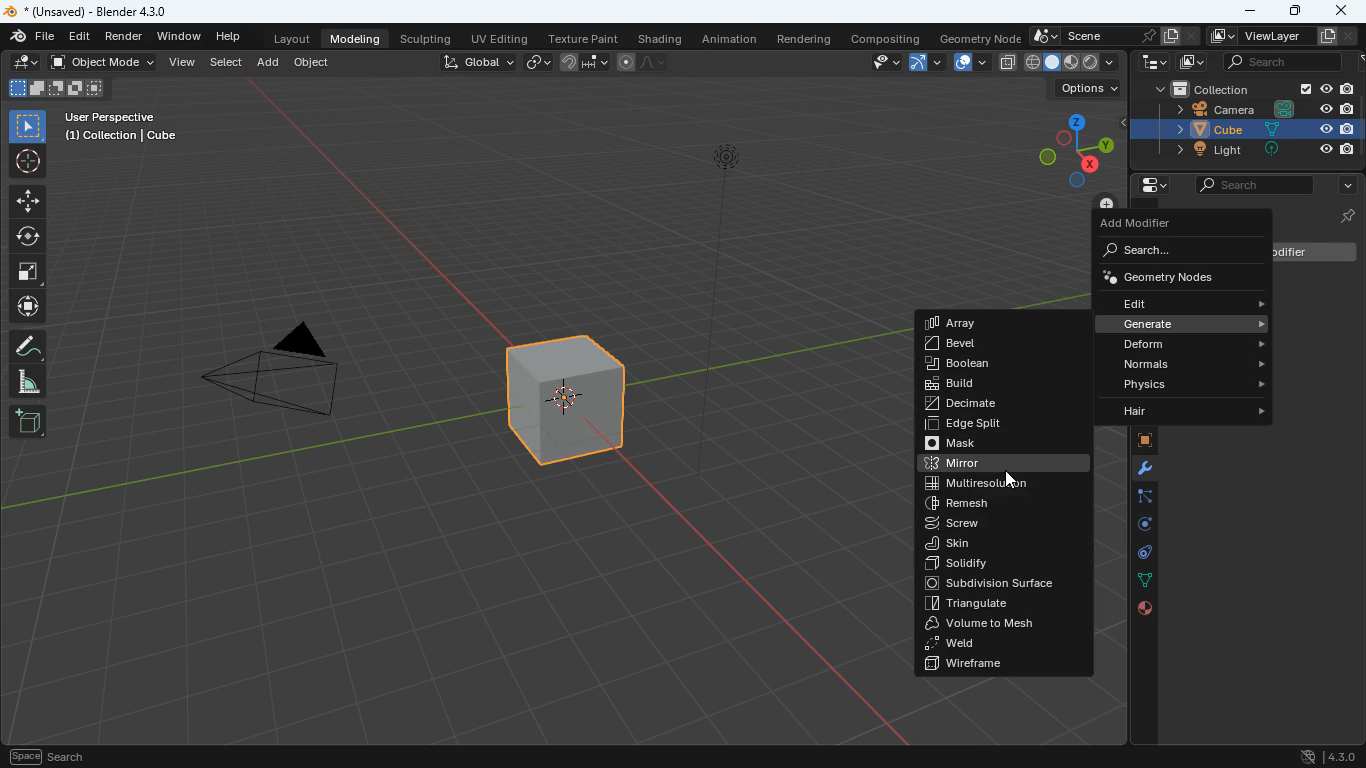 Image resolution: width=1366 pixels, height=768 pixels. I want to click on cursor, so click(1010, 481).